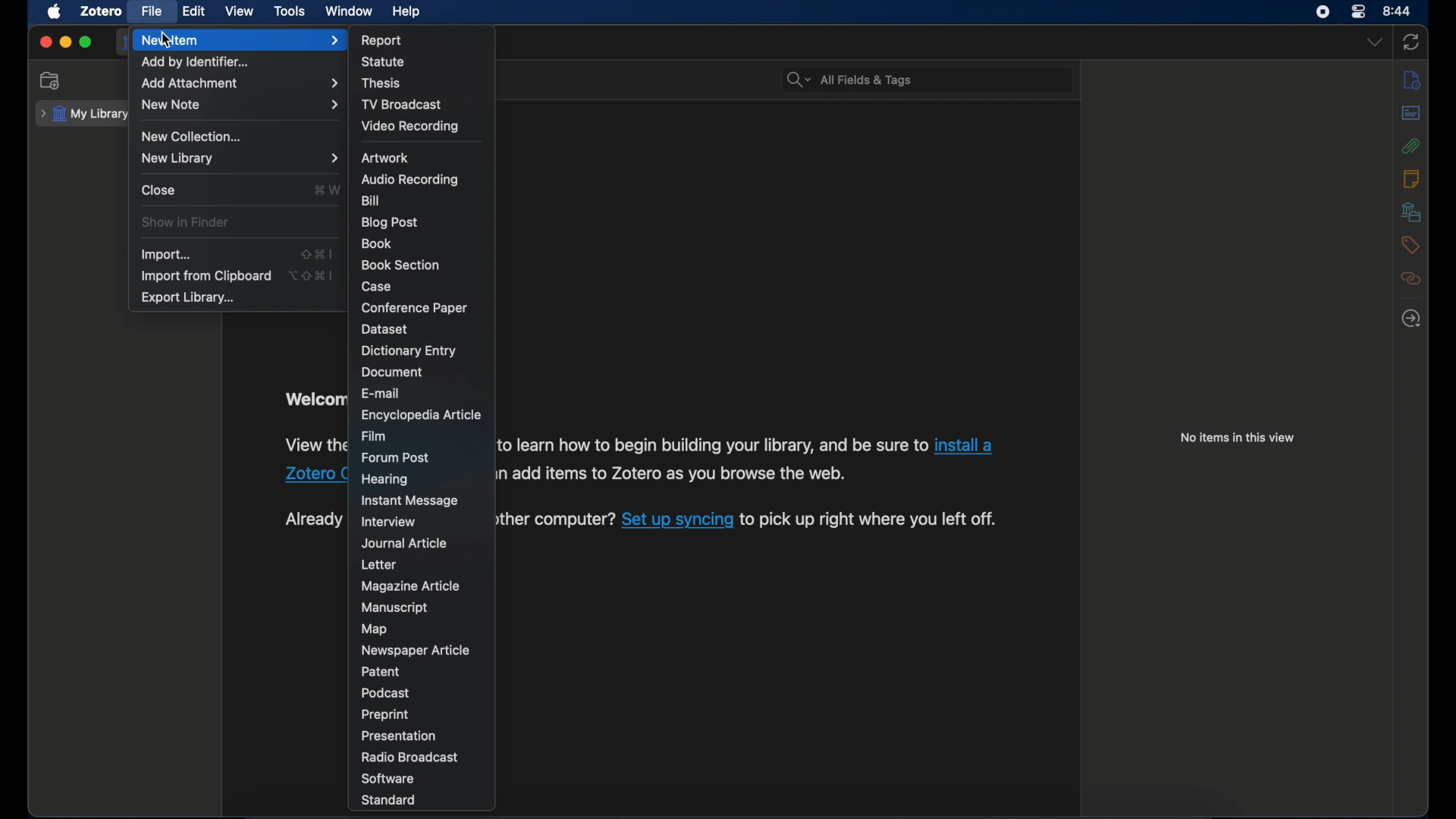 The height and width of the screenshot is (819, 1456). What do you see at coordinates (382, 39) in the screenshot?
I see `report` at bounding box center [382, 39].